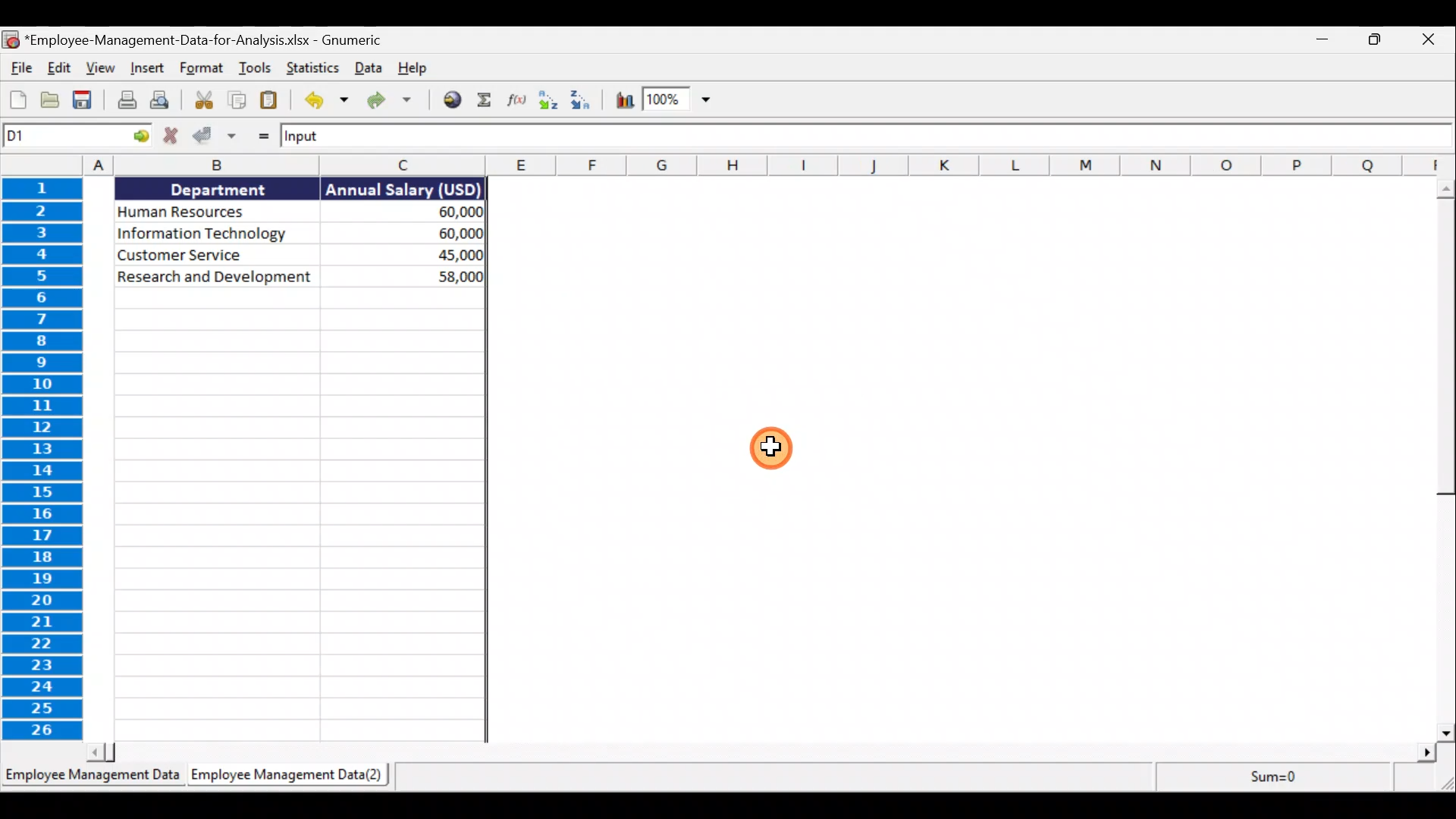 The height and width of the screenshot is (819, 1456). I want to click on Undo last action, so click(325, 101).